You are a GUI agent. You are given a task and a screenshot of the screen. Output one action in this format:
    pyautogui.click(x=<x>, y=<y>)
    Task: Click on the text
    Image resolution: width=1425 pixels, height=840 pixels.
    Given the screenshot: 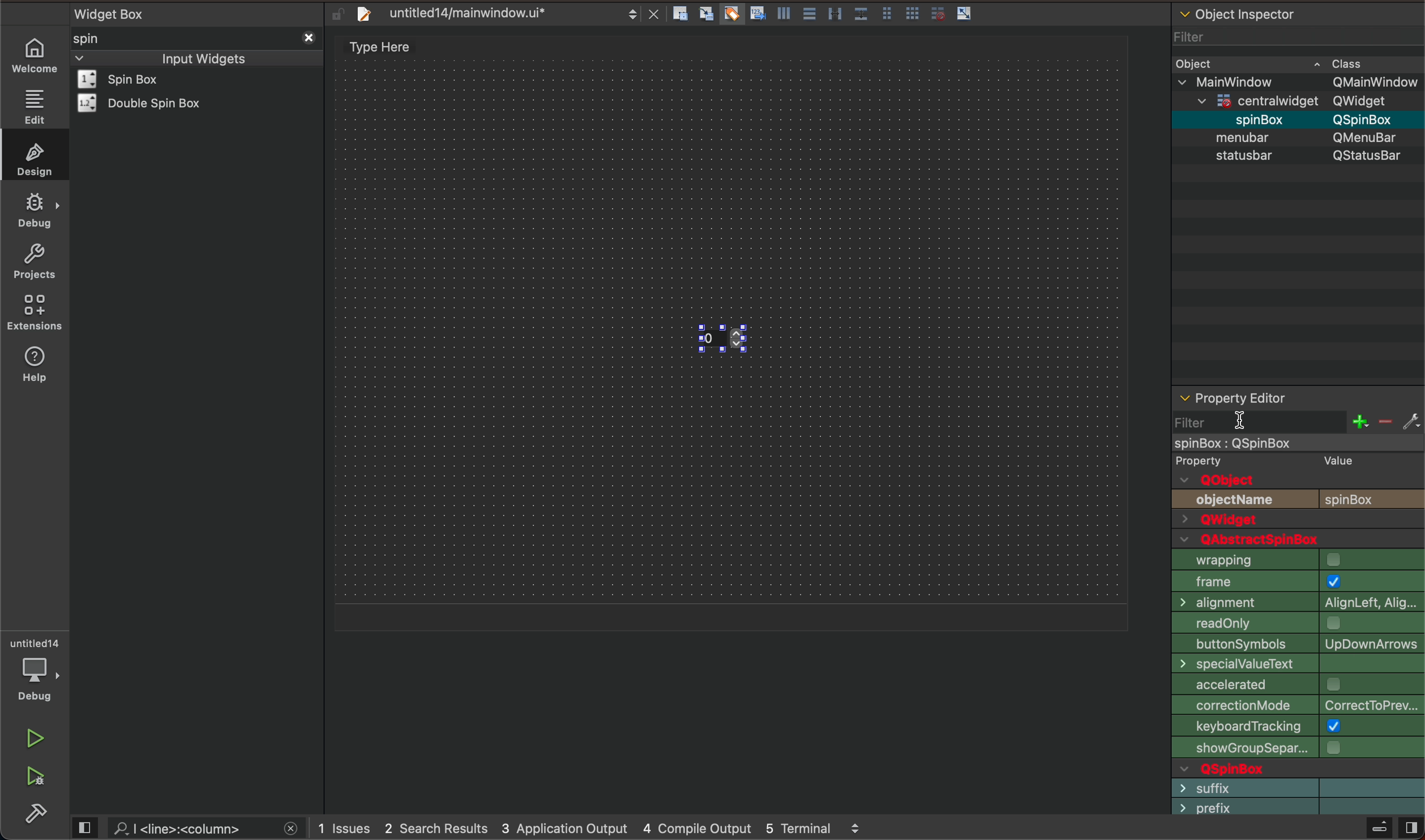 What is the action you would take?
    pyautogui.click(x=1375, y=155)
    